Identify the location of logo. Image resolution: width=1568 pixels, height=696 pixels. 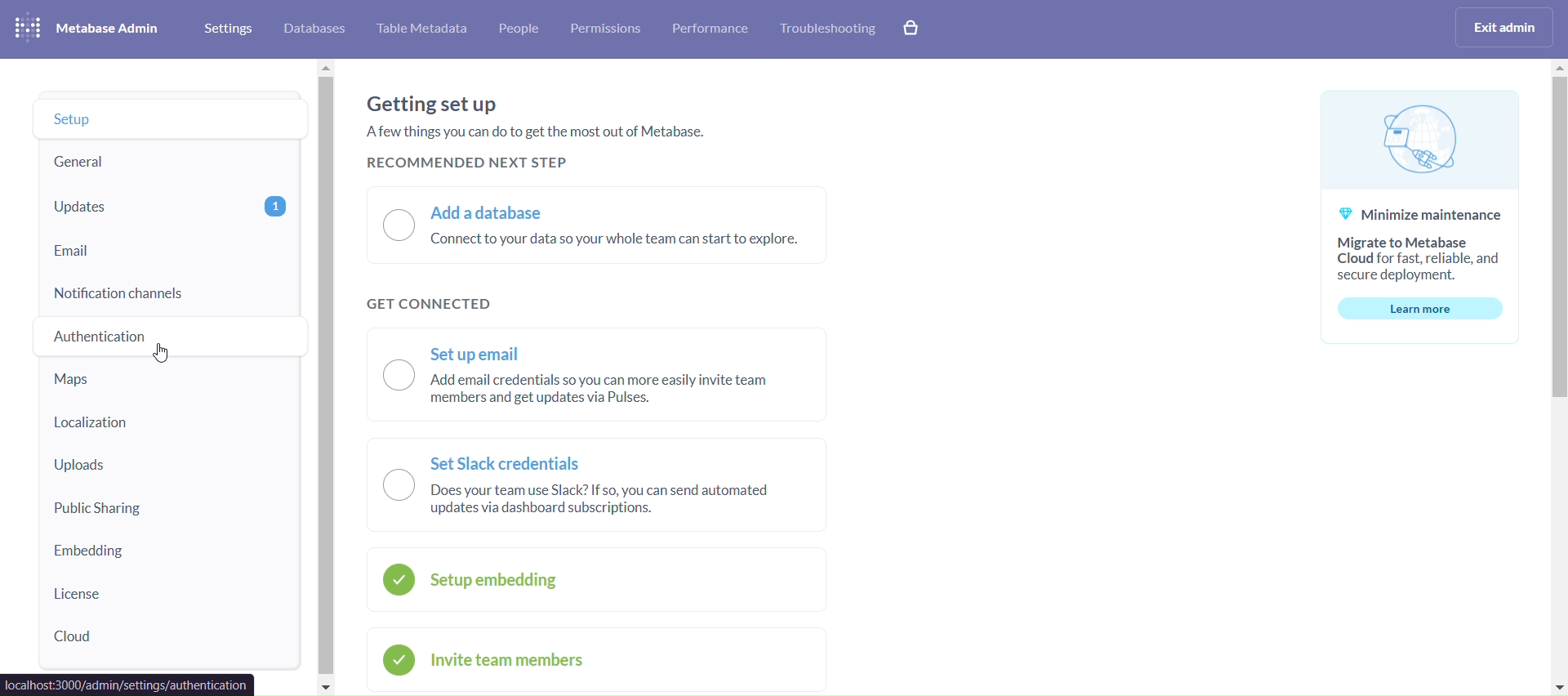
(30, 28).